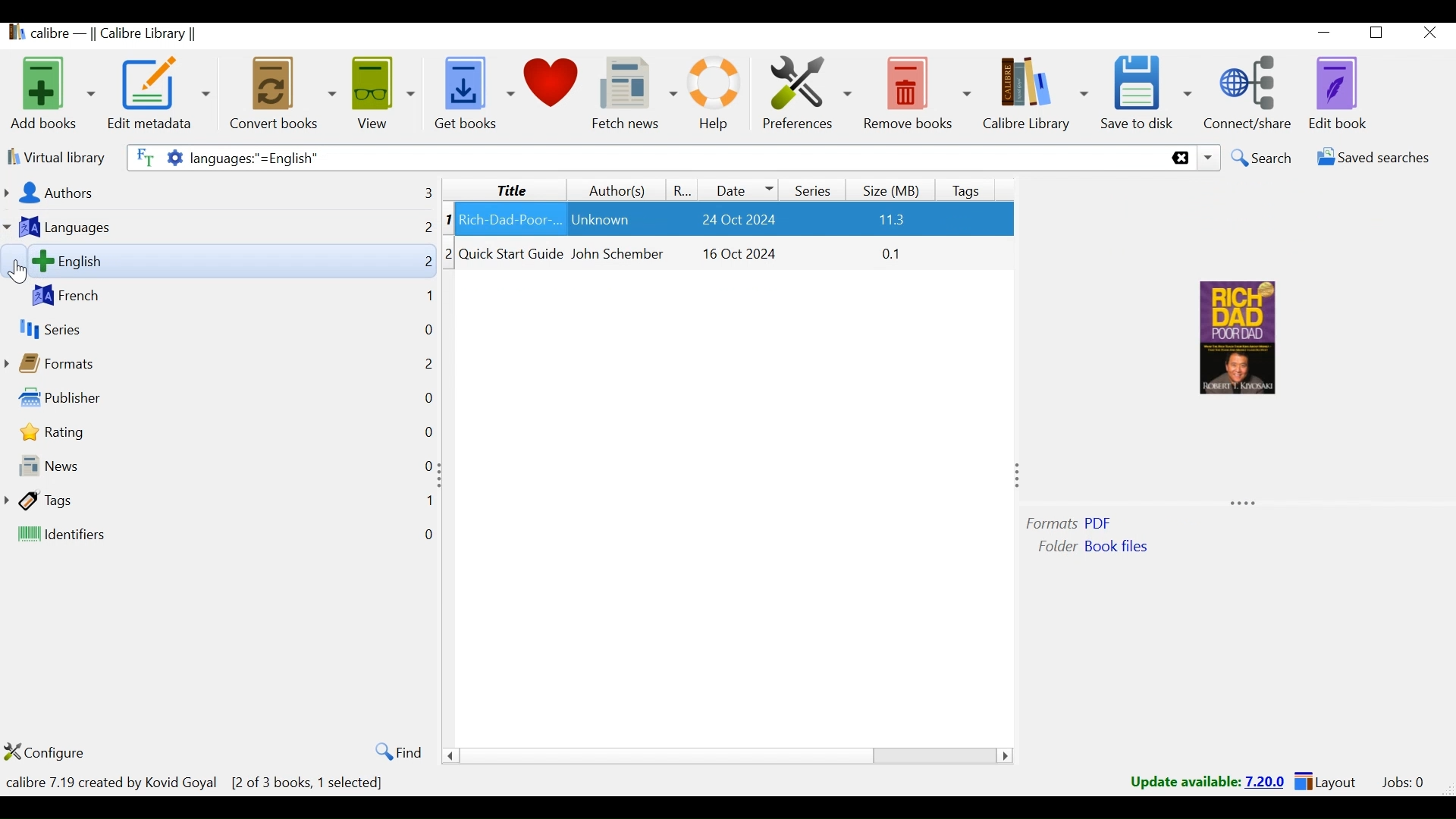  Describe the element at coordinates (431, 536) in the screenshot. I see `0` at that location.